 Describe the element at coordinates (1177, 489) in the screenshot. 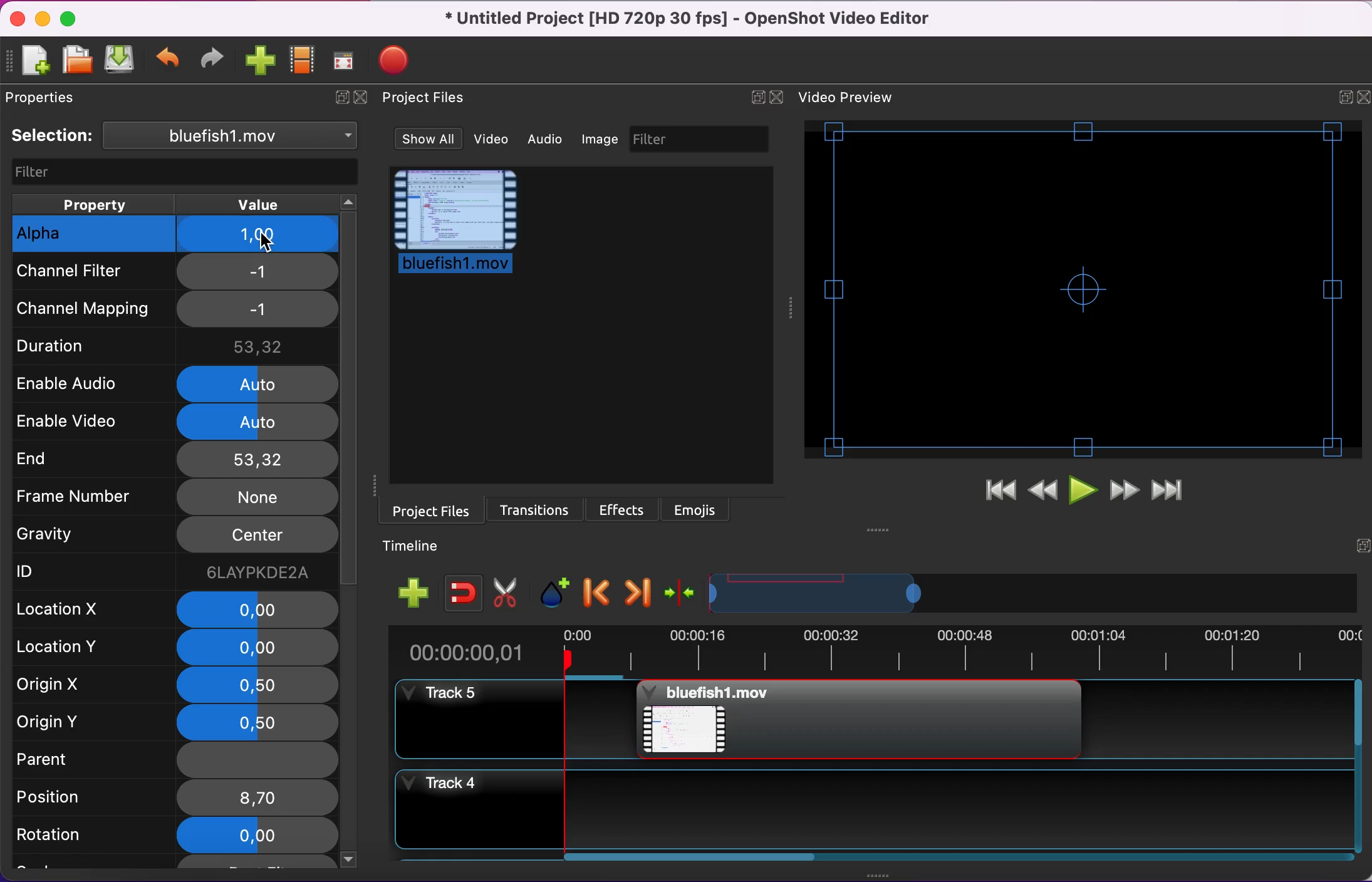

I see `jump to end` at that location.